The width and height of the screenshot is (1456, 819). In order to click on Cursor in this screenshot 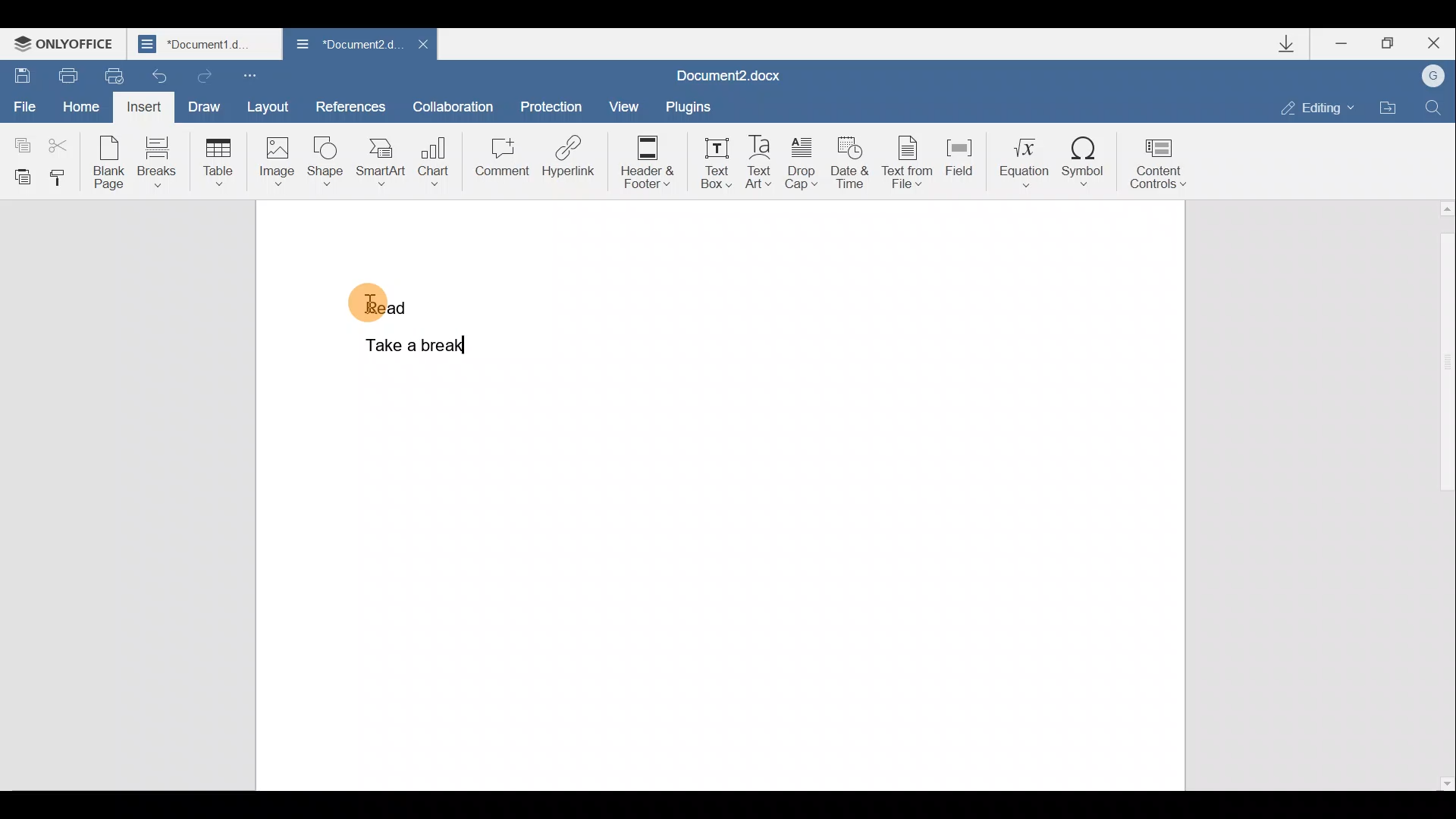, I will do `click(385, 306)`.